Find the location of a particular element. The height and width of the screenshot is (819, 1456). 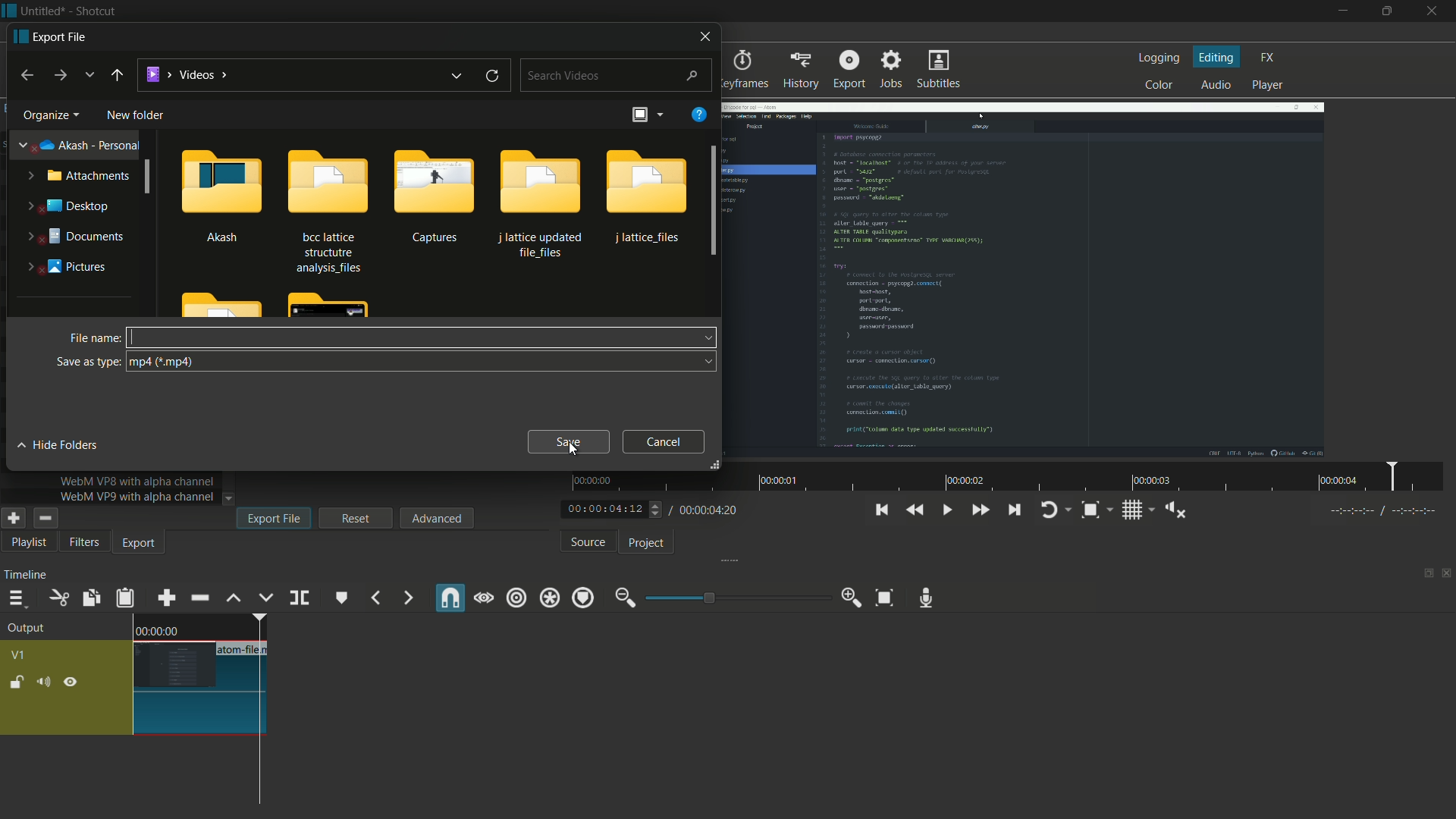

output is located at coordinates (30, 629).